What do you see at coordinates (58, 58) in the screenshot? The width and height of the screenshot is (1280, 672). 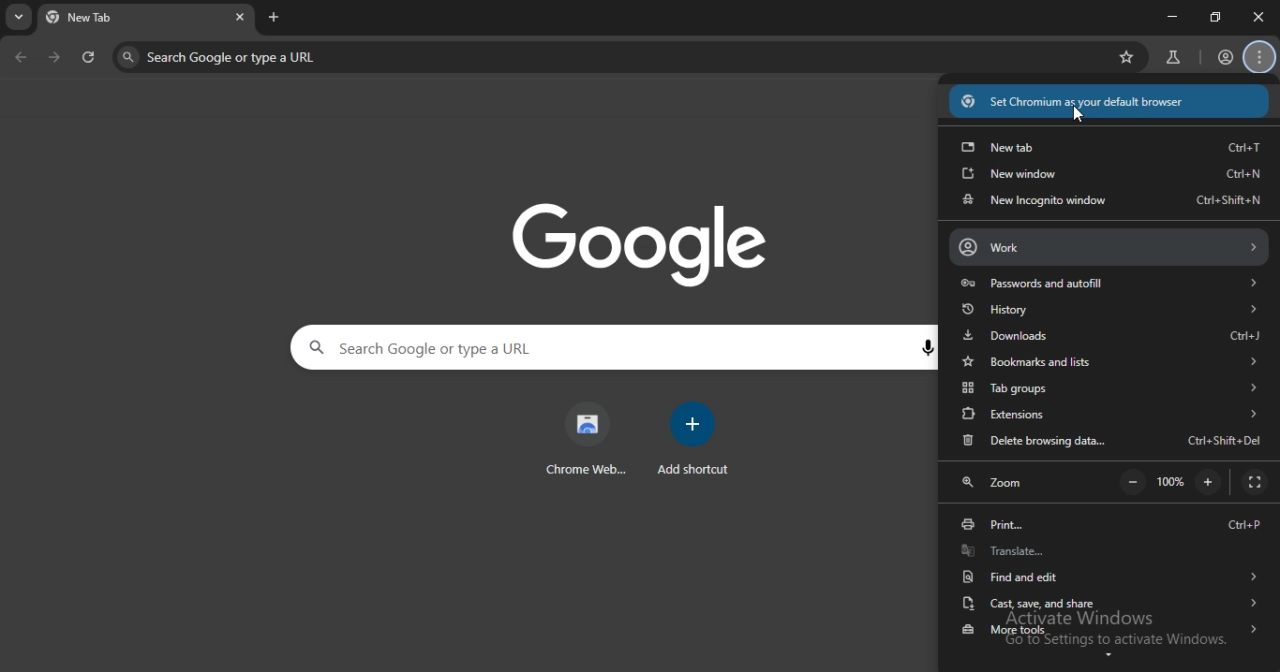 I see `one page forward` at bounding box center [58, 58].